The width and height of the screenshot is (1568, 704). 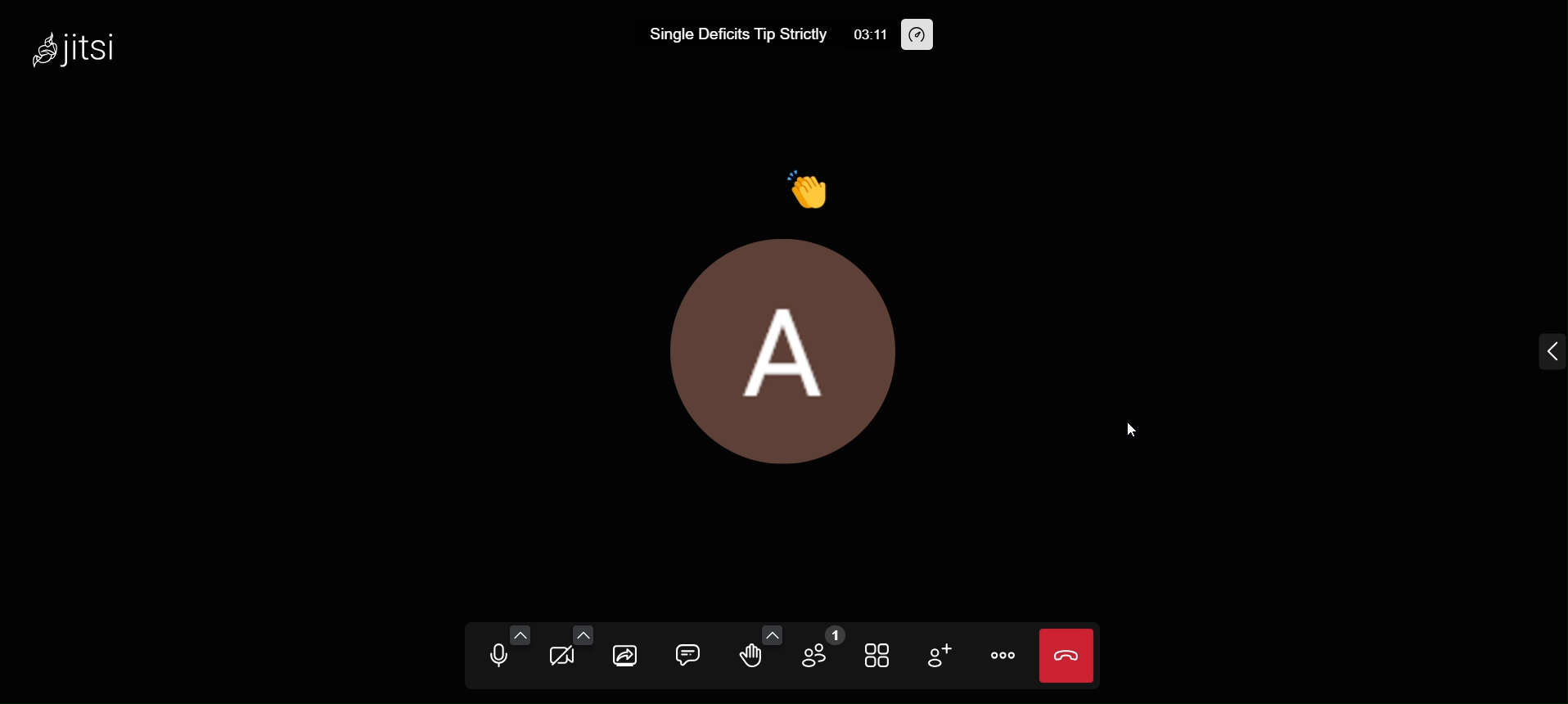 What do you see at coordinates (823, 652) in the screenshot?
I see `participants` at bounding box center [823, 652].